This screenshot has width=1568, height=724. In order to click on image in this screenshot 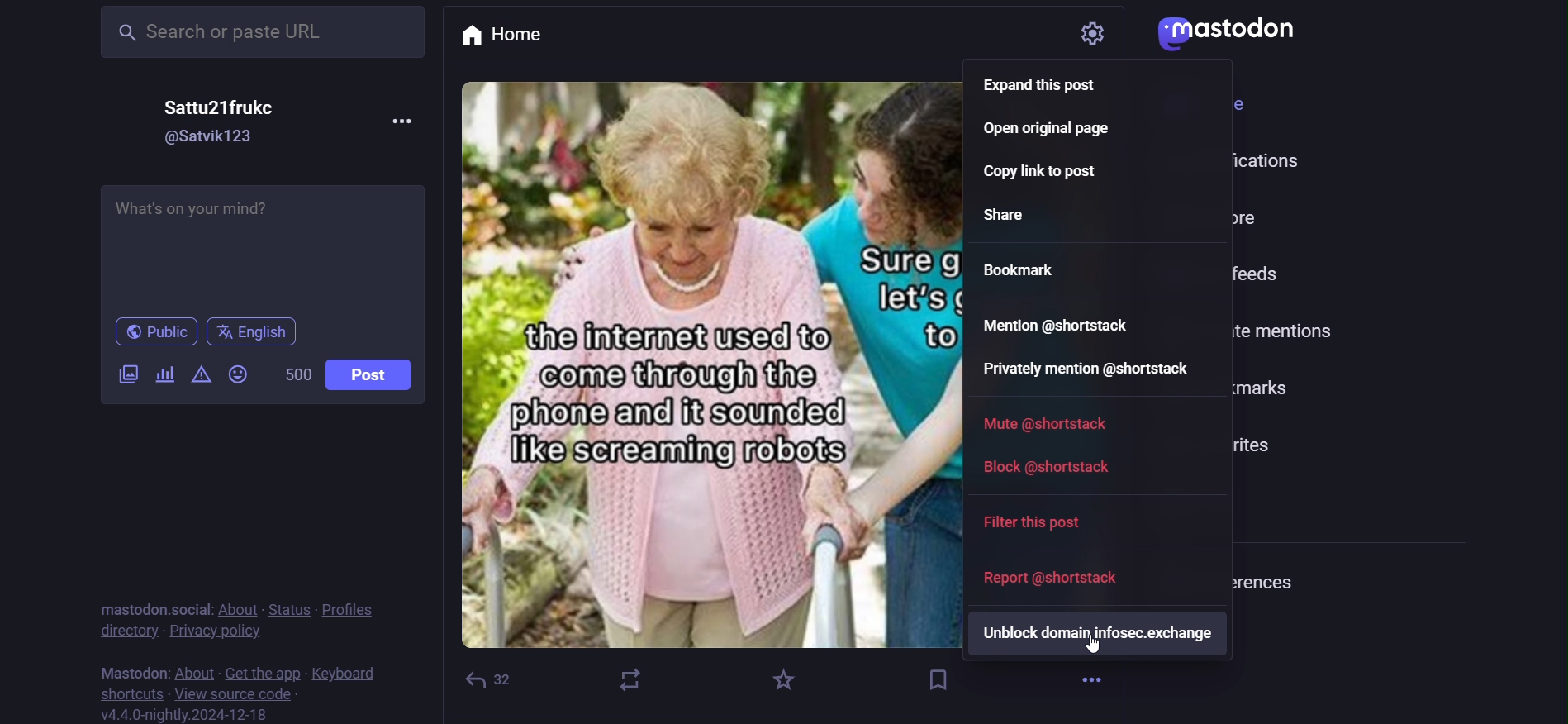, I will do `click(729, 374)`.